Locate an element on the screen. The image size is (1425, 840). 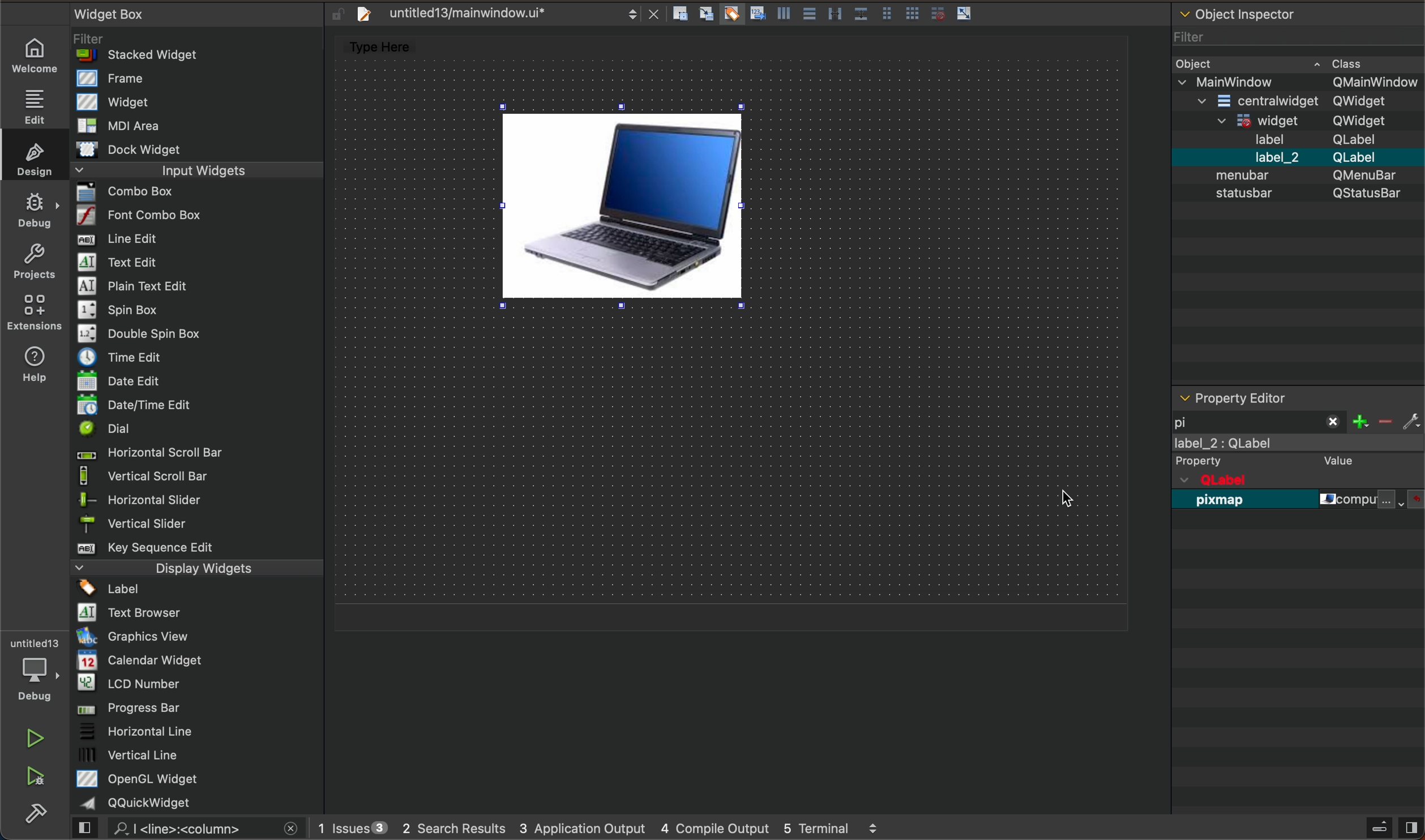
design is located at coordinates (33, 156).